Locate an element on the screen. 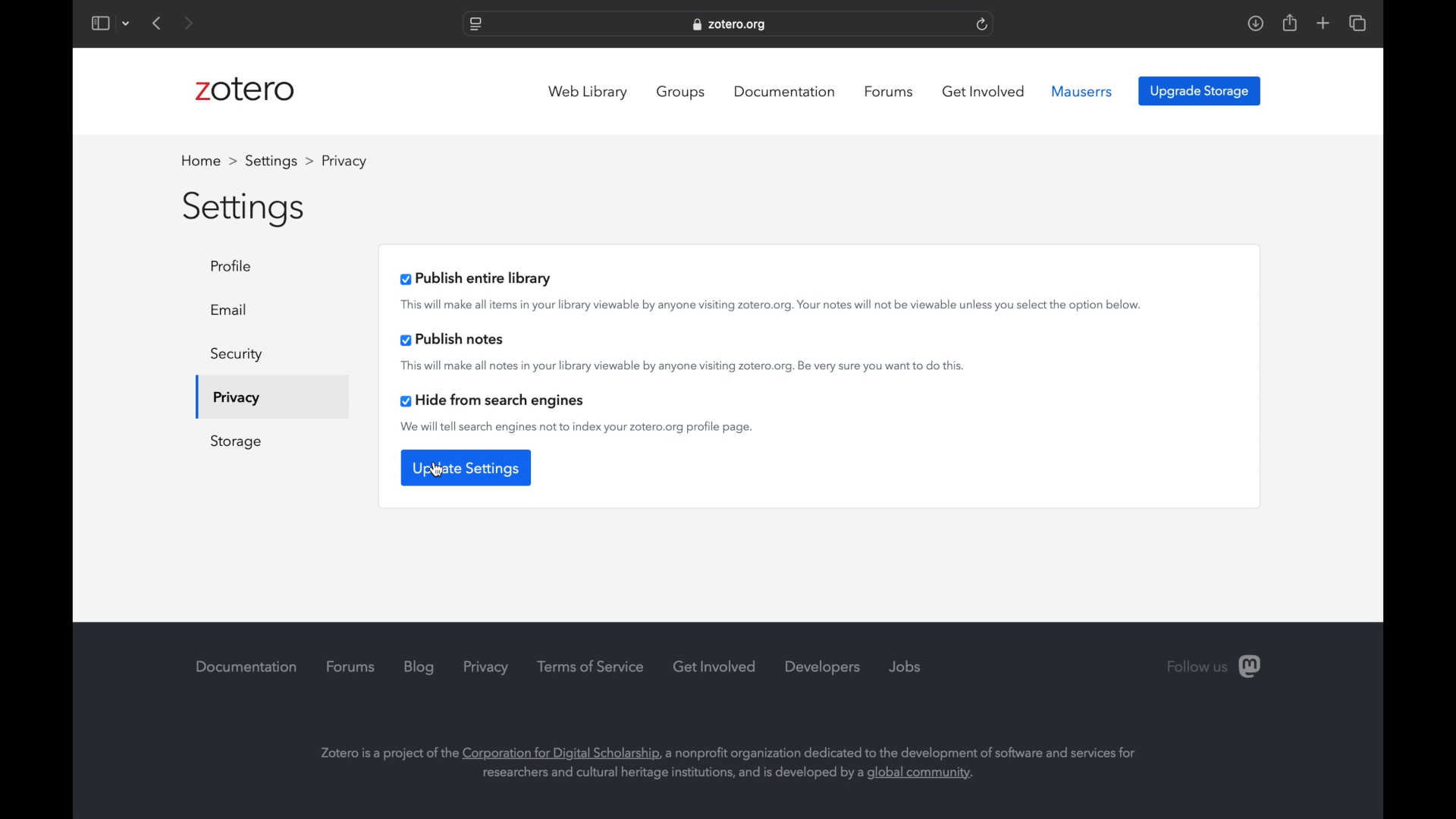 The height and width of the screenshot is (819, 1456). show tab overview is located at coordinates (1357, 23).